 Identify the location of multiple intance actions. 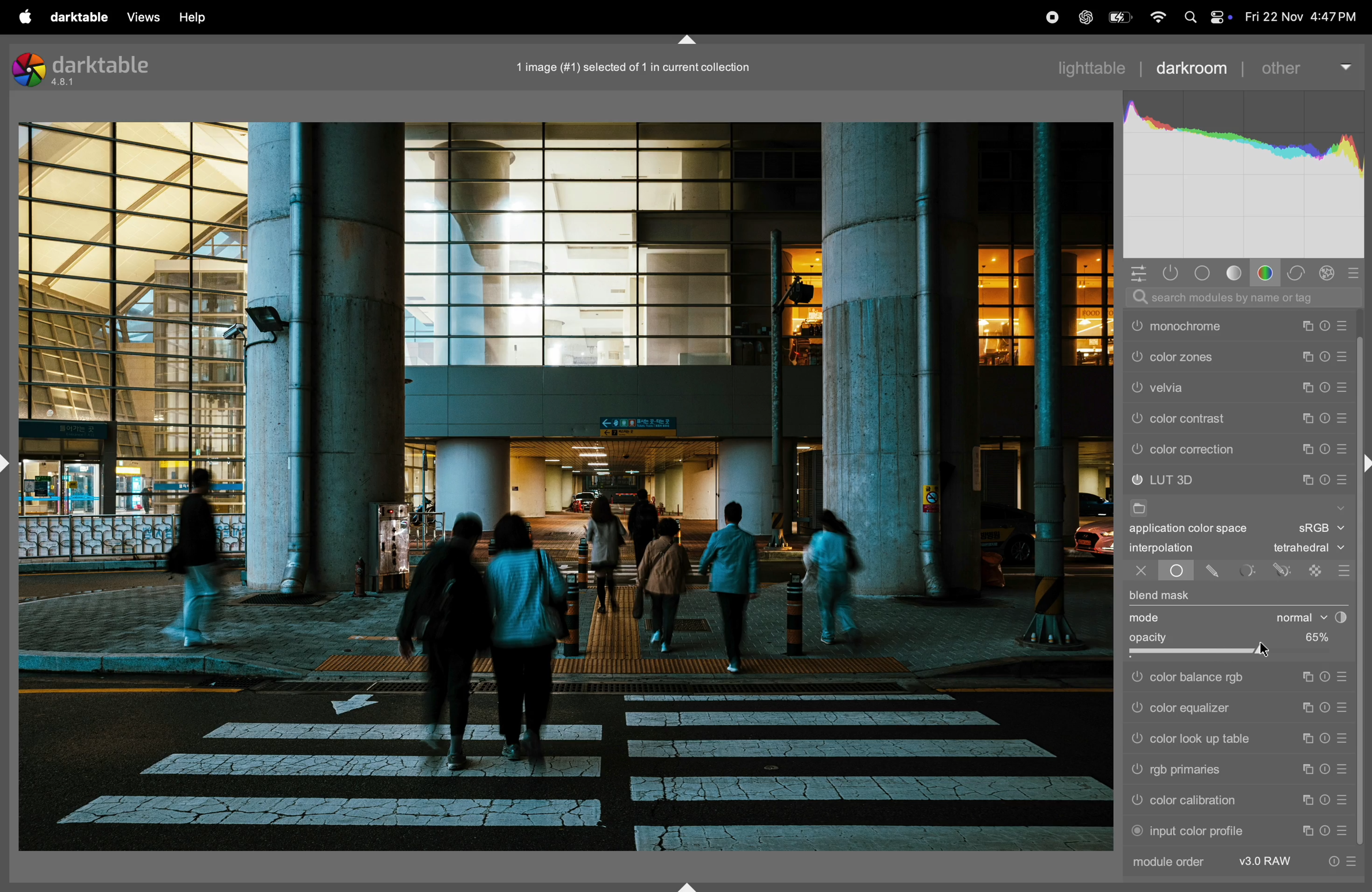
(1304, 475).